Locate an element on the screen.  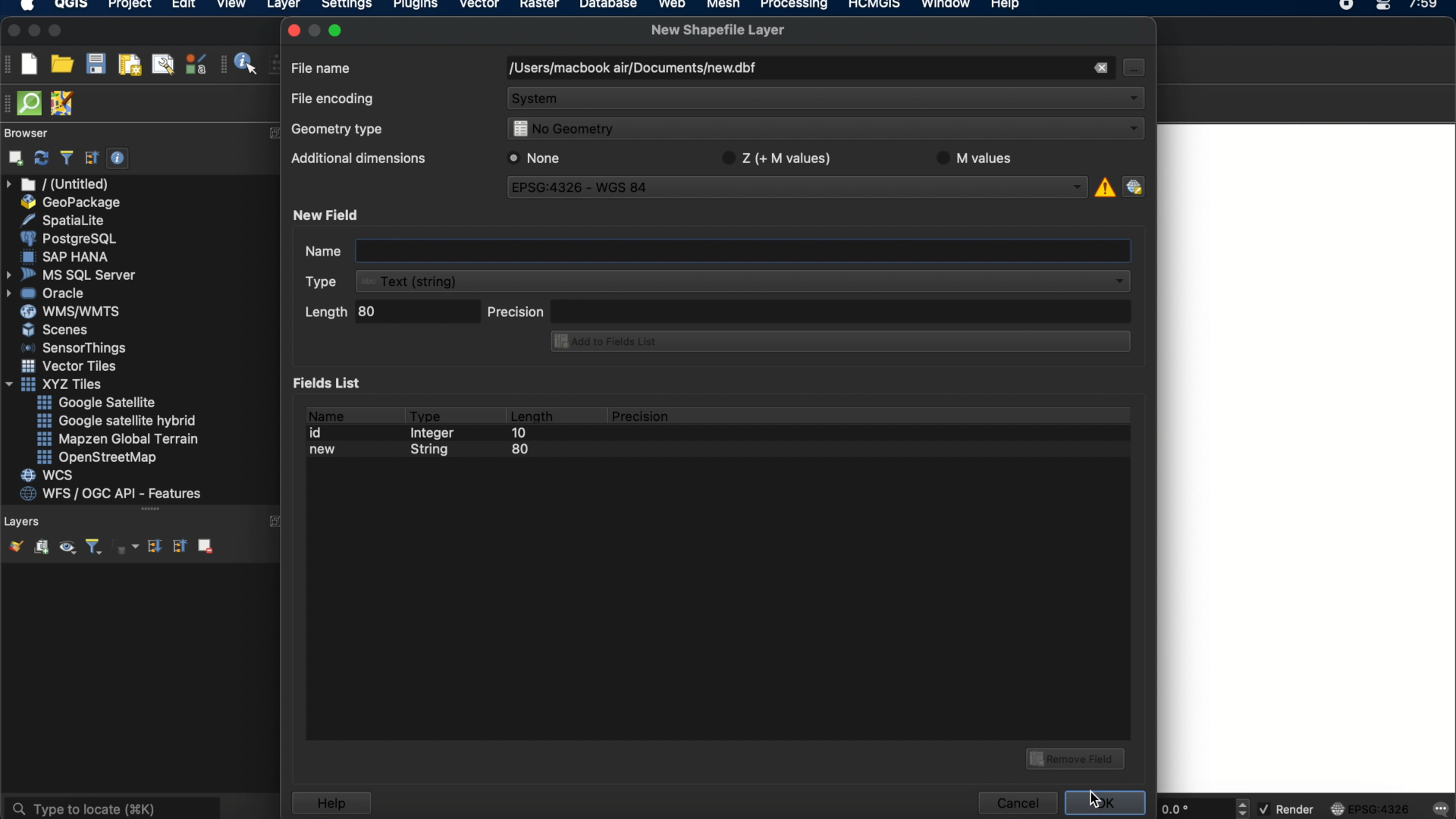
recorder icon is located at coordinates (1348, 6).